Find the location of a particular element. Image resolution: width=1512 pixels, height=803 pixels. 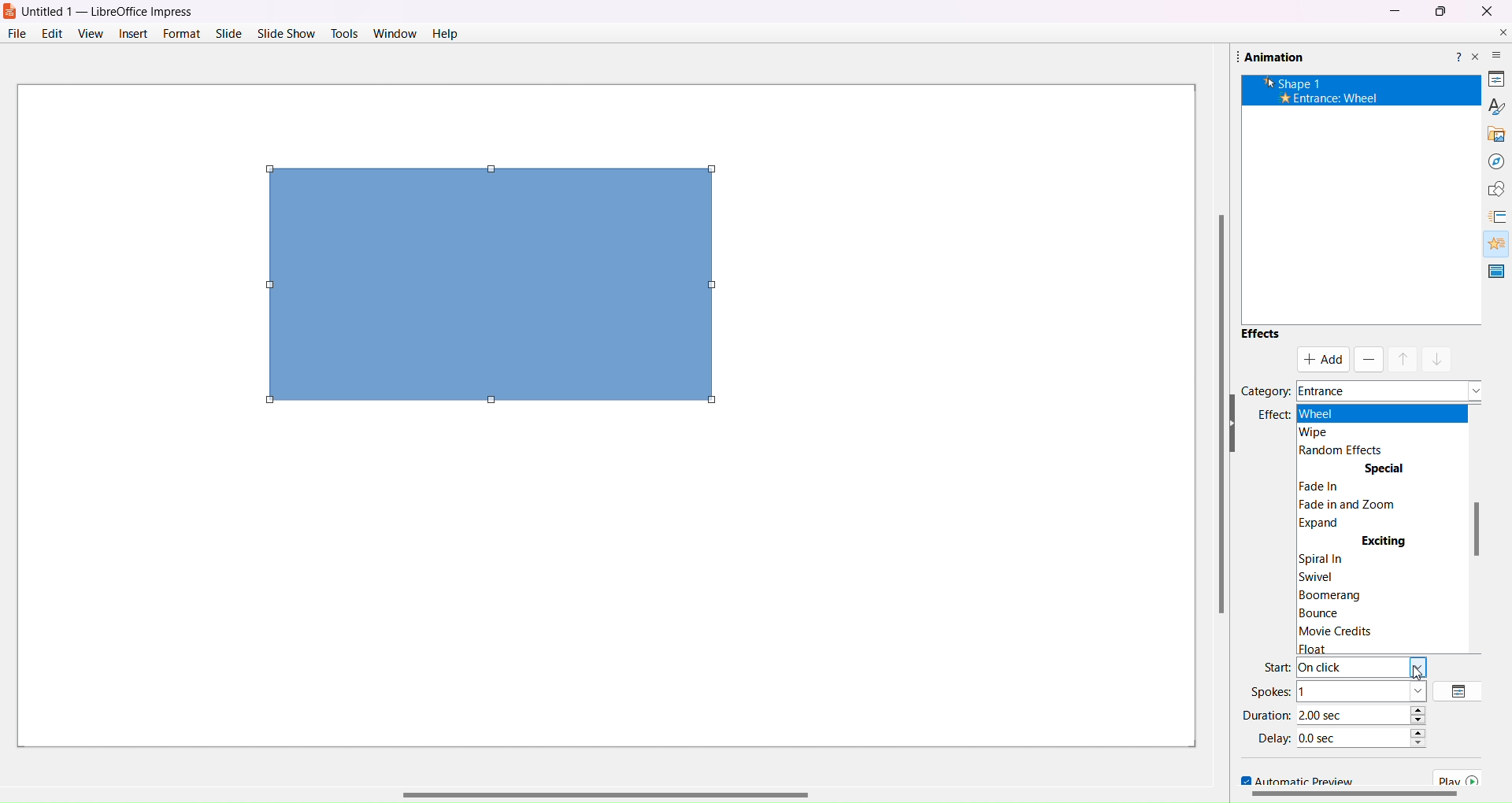

Close Pane is located at coordinates (1476, 57).